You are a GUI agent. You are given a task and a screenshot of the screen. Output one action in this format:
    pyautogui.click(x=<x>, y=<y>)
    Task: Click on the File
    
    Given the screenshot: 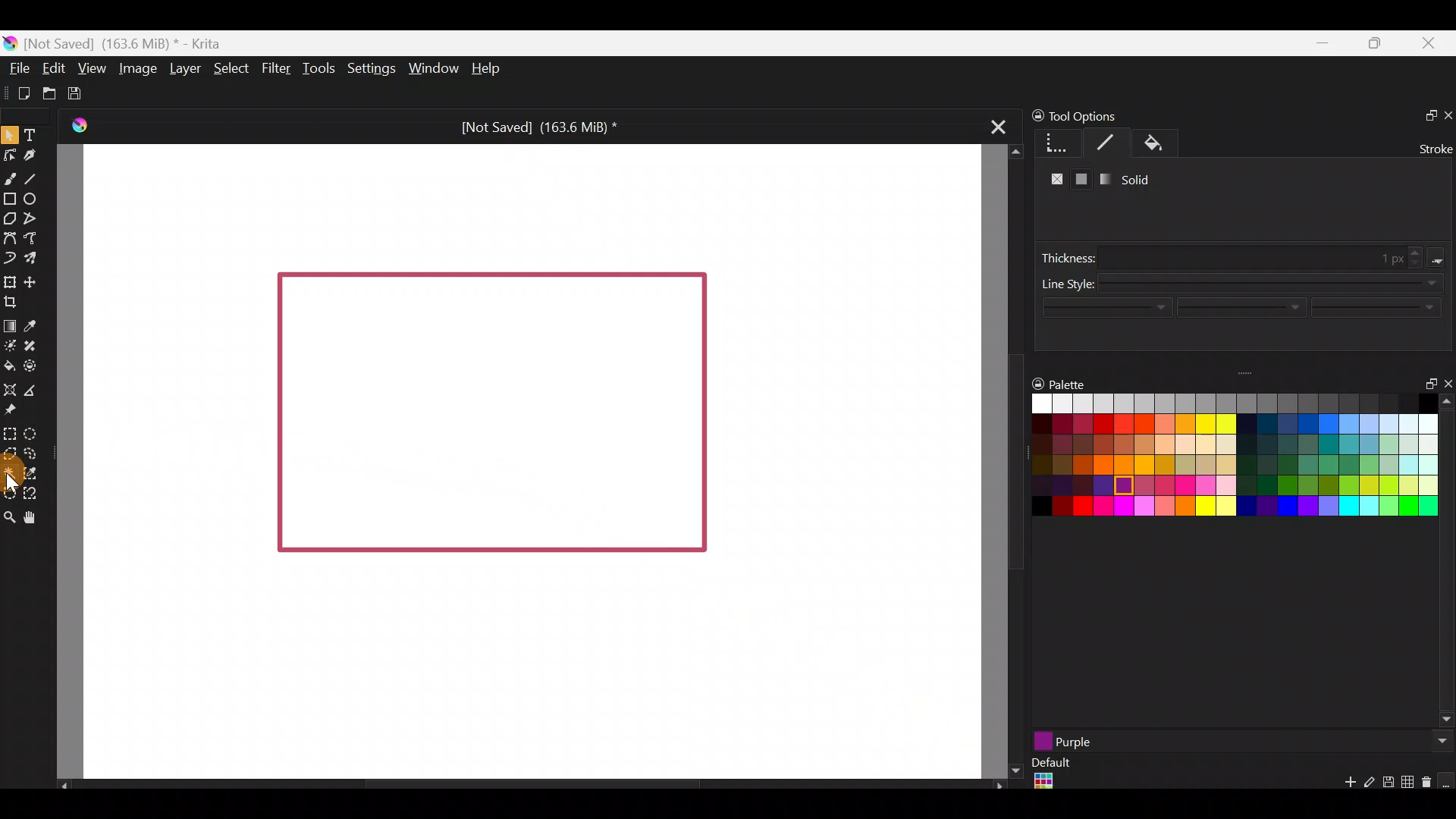 What is the action you would take?
    pyautogui.click(x=20, y=67)
    